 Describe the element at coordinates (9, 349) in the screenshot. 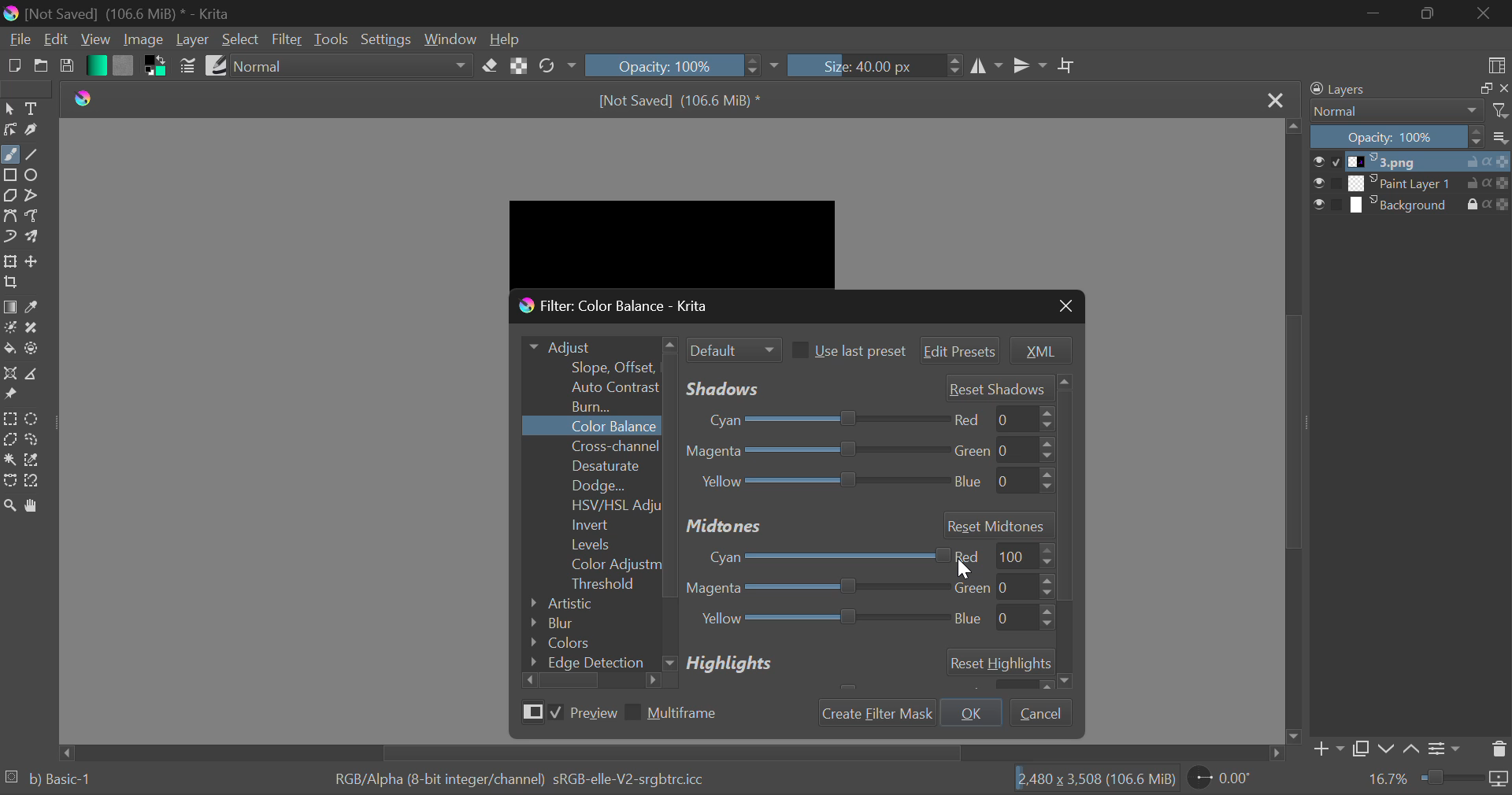

I see `Fill` at that location.